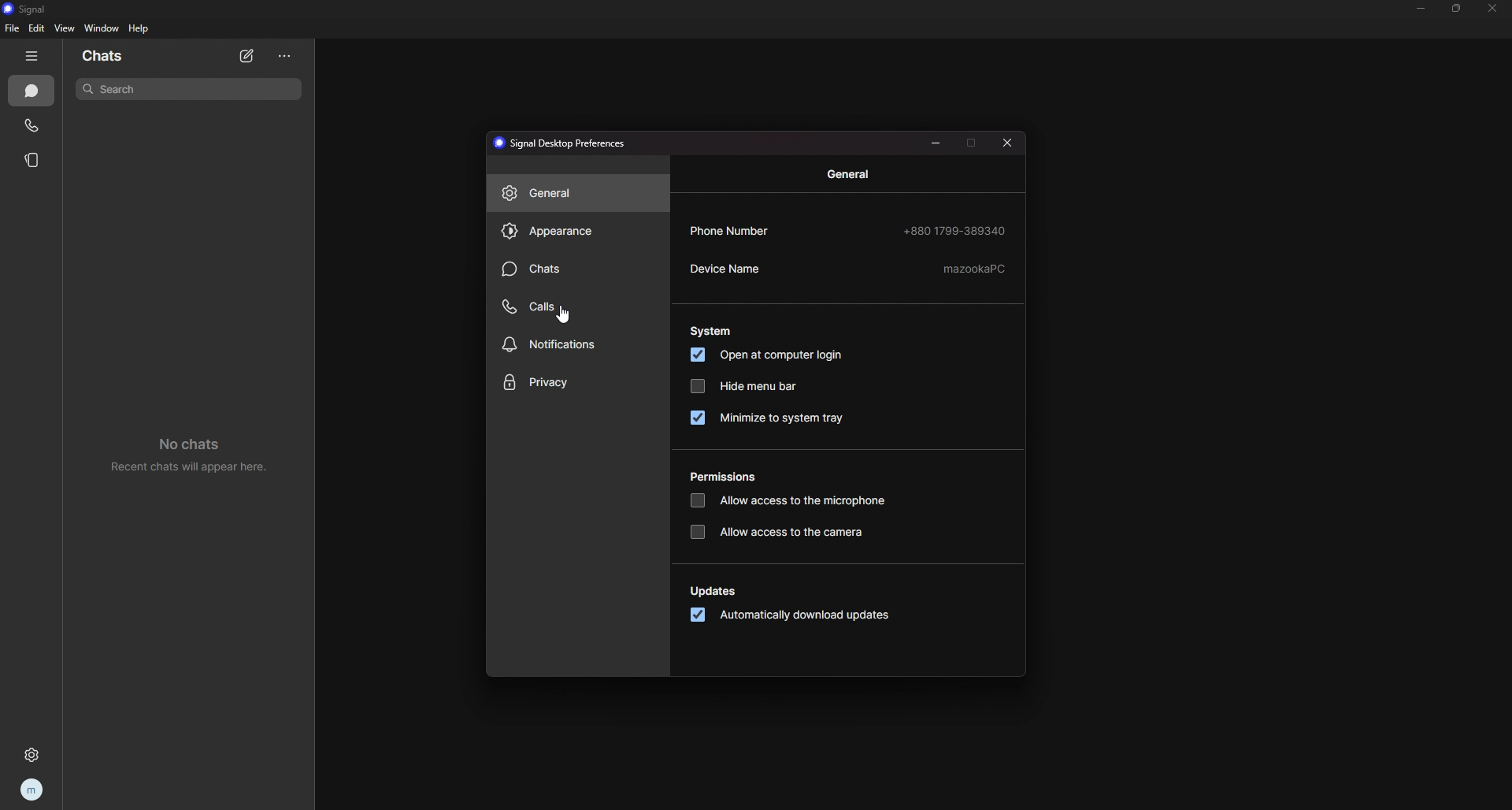 This screenshot has height=810, width=1512. Describe the element at coordinates (730, 477) in the screenshot. I see `permissions` at that location.